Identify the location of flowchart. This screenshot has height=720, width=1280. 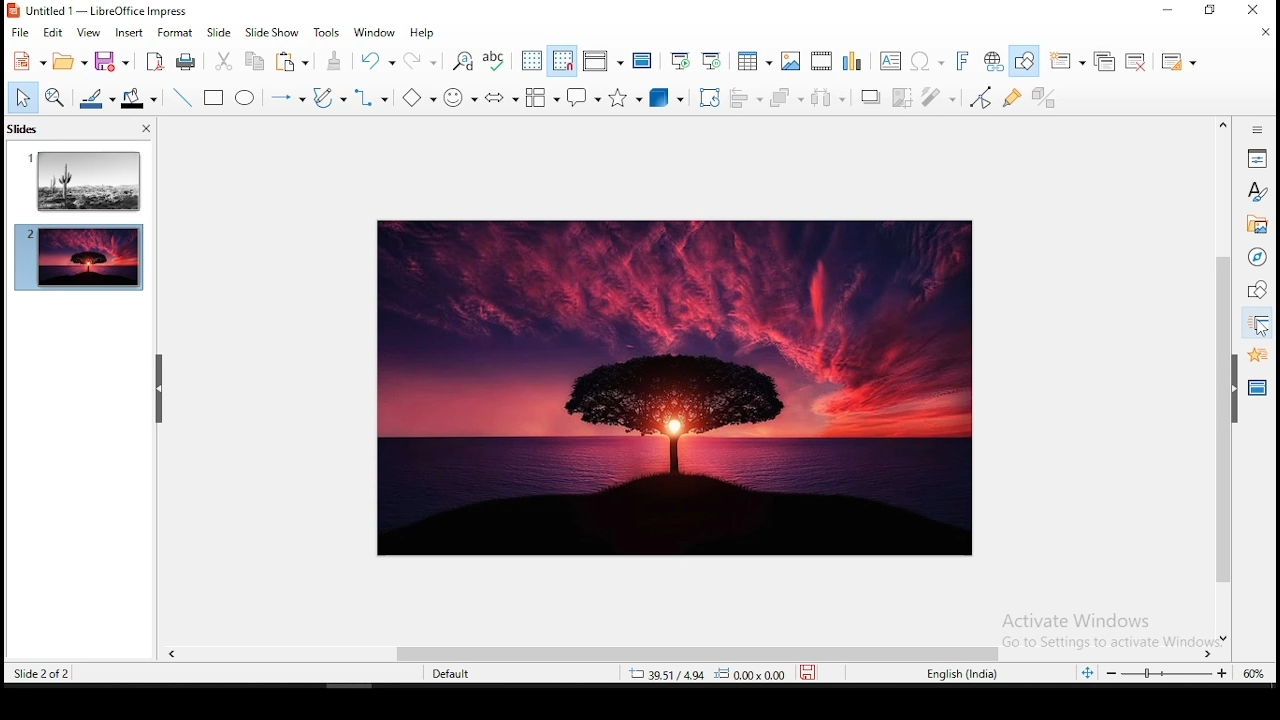
(540, 98).